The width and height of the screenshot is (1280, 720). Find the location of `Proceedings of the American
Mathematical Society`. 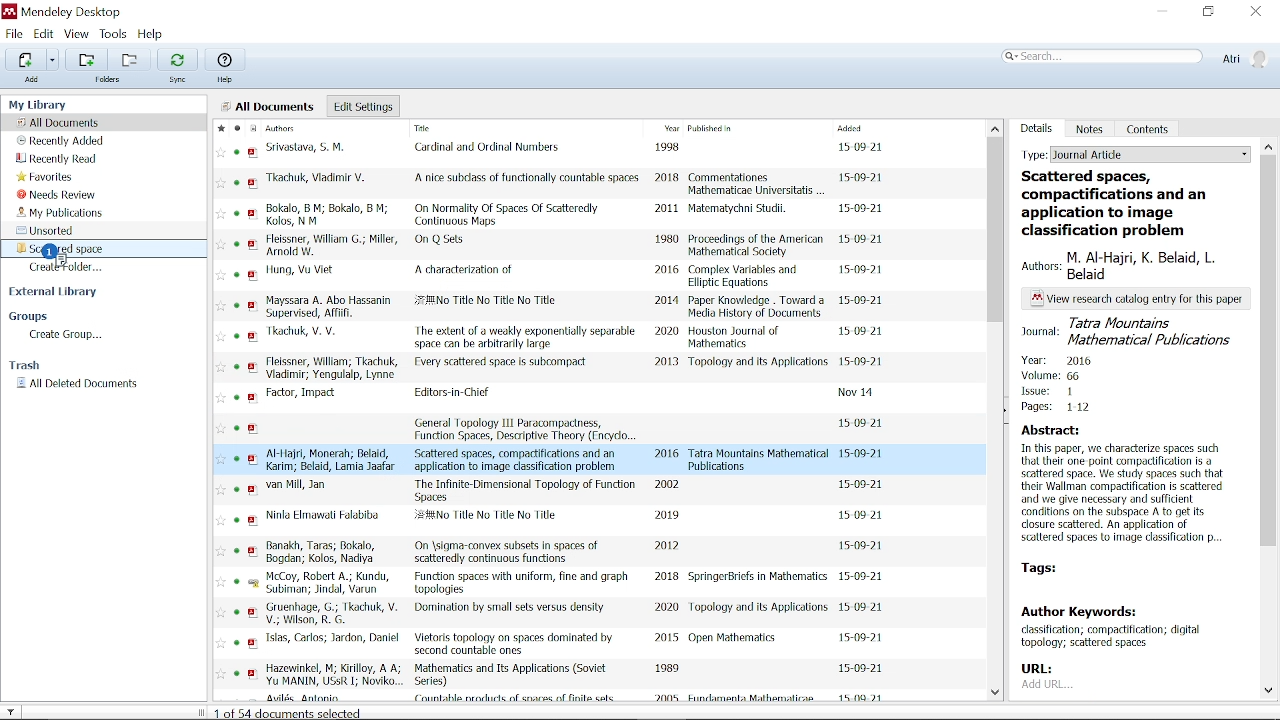

Proceedings of the American
Mathematical Society is located at coordinates (756, 246).